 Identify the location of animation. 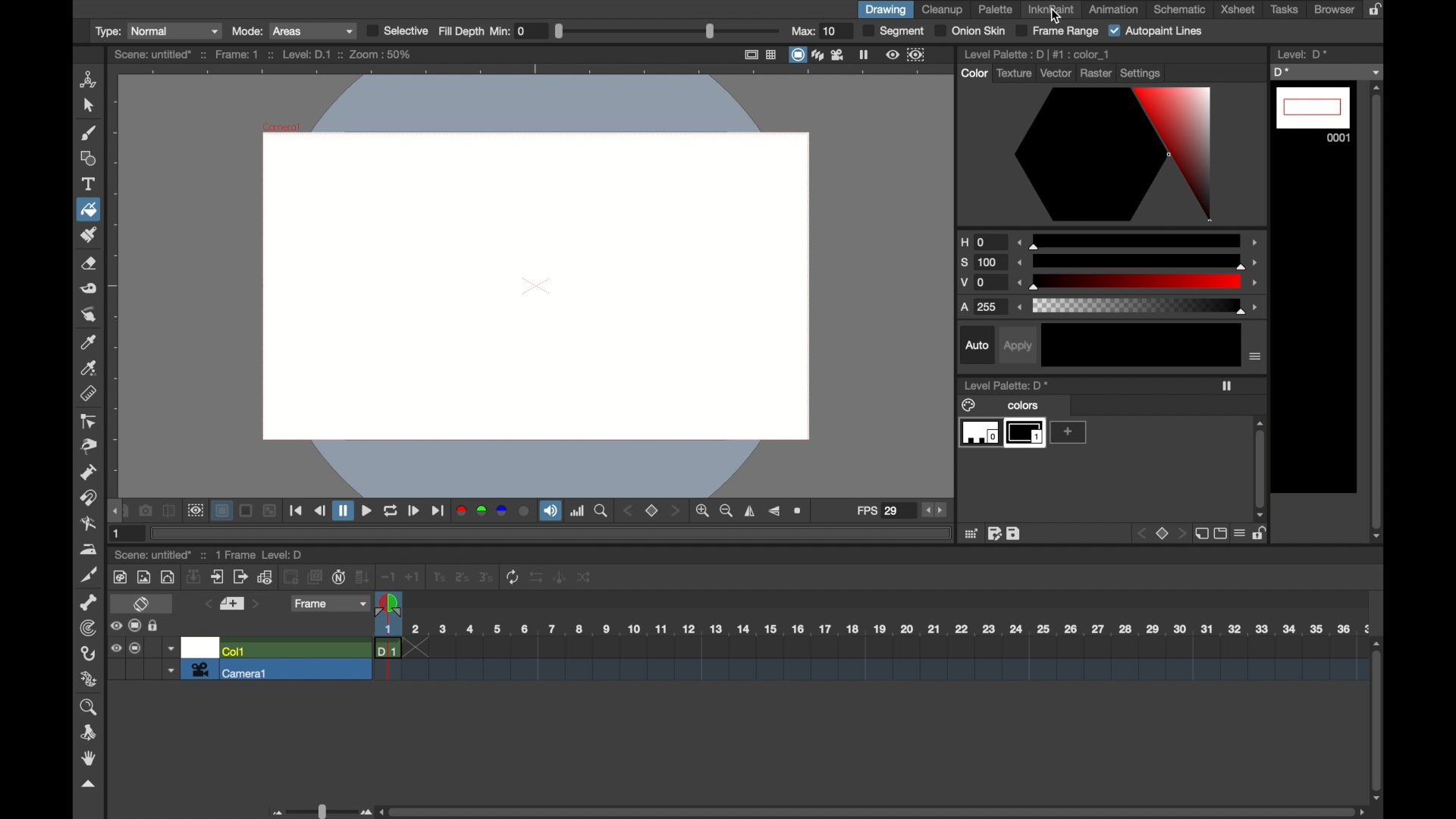
(1114, 10).